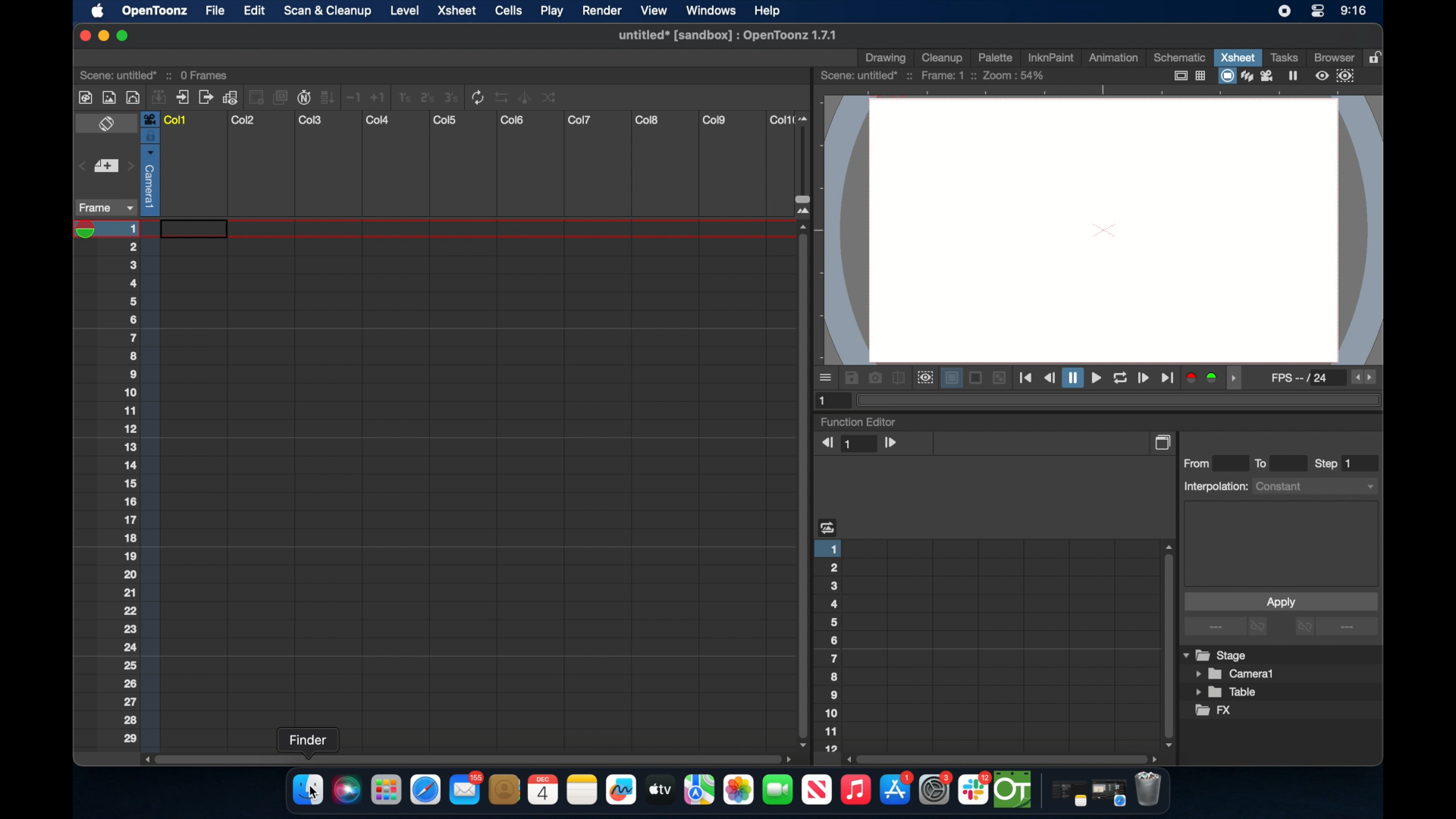 The height and width of the screenshot is (819, 1456). Describe the element at coordinates (1335, 463) in the screenshot. I see `step` at that location.